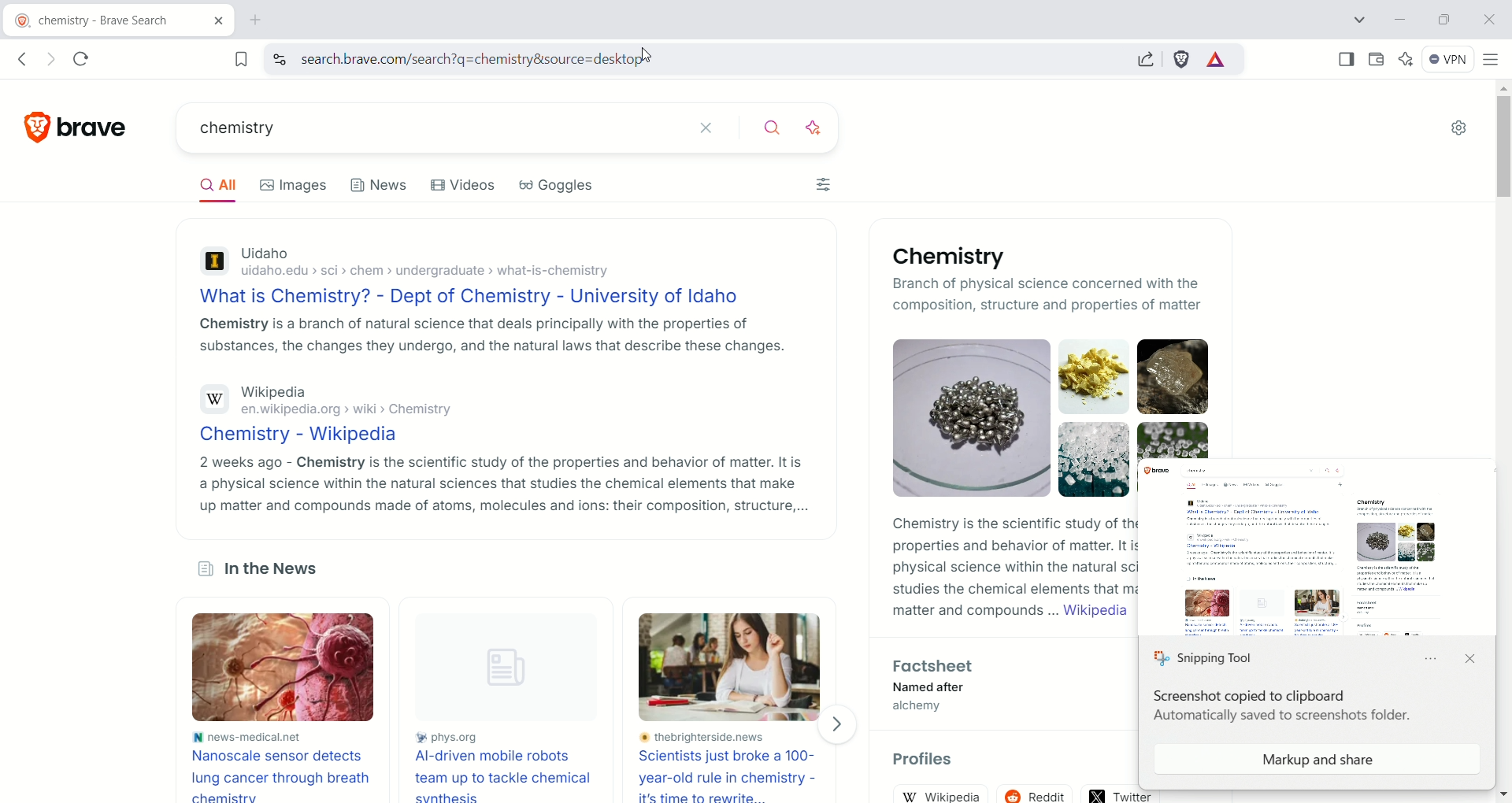 This screenshot has height=803, width=1512. Describe the element at coordinates (1011, 417) in the screenshot. I see `Chemical compounds` at that location.